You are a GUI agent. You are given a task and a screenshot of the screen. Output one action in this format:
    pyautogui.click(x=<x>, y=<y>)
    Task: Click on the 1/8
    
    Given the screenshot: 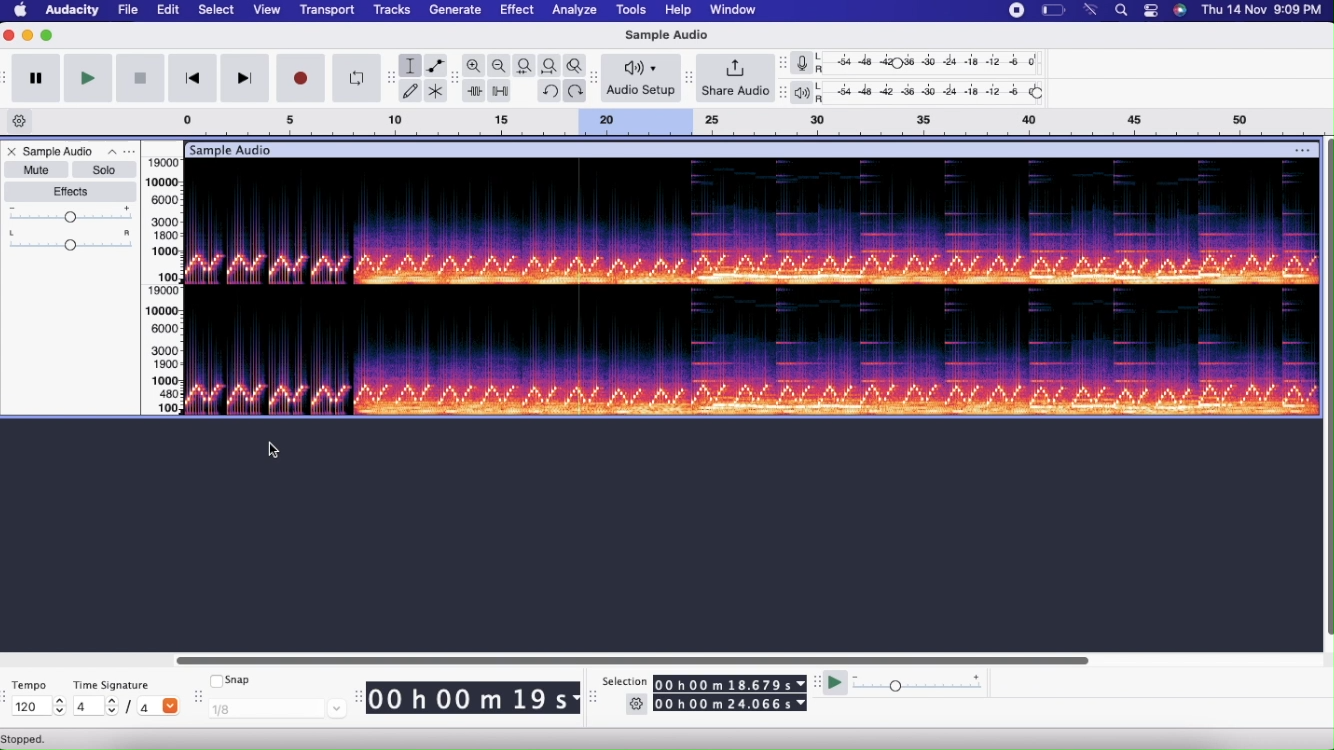 What is the action you would take?
    pyautogui.click(x=284, y=709)
    